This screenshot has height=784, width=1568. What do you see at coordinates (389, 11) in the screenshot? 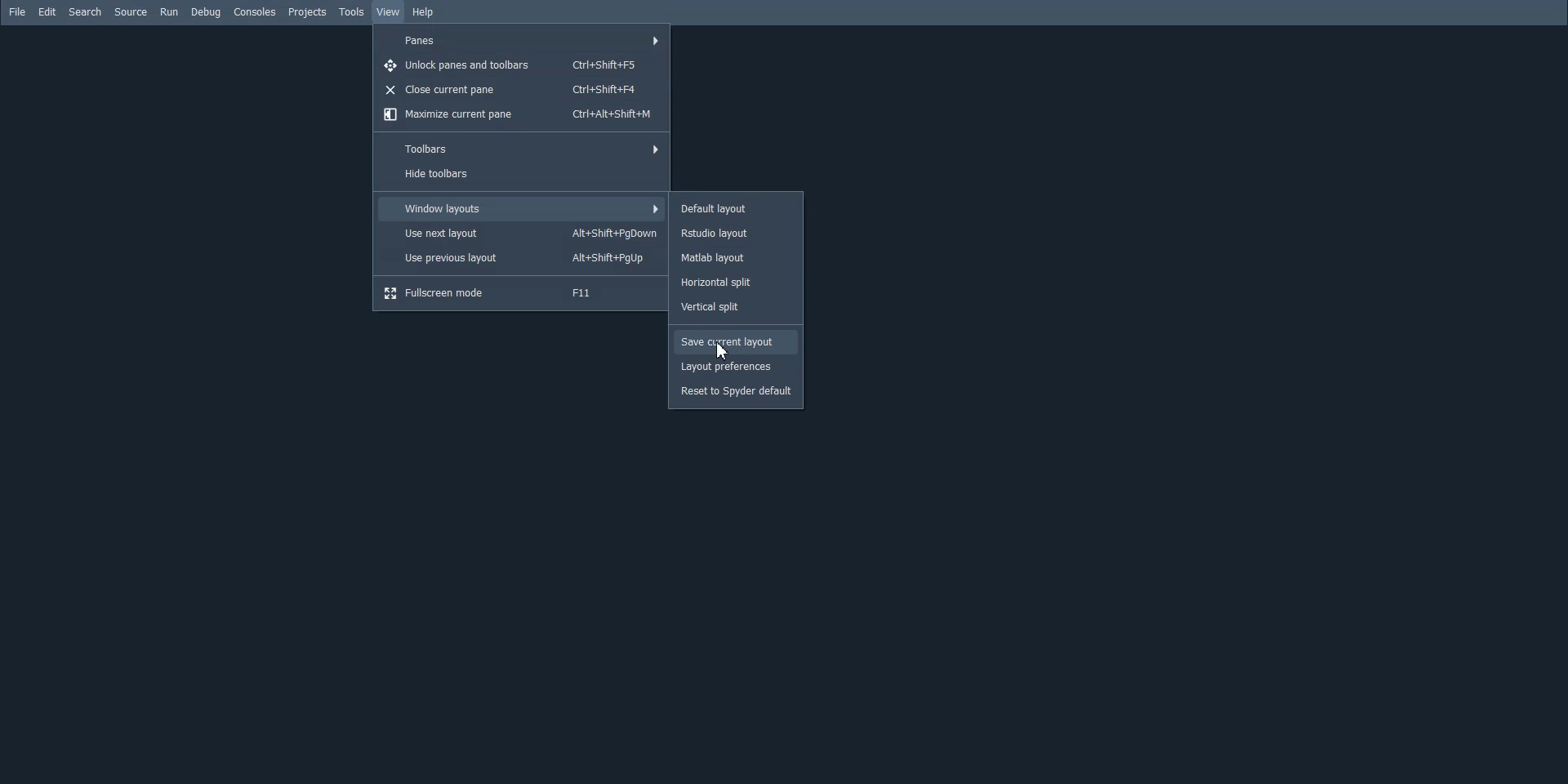
I see `View` at bounding box center [389, 11].